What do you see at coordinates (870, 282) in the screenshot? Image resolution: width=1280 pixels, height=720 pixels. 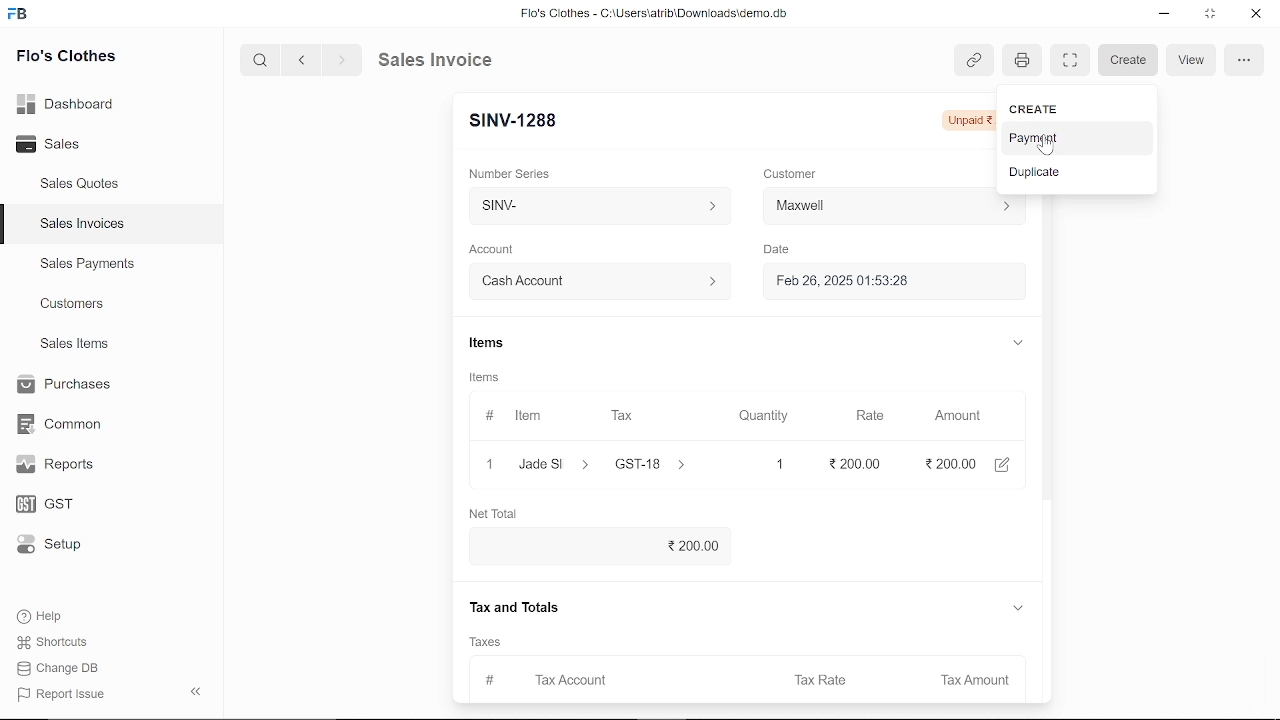 I see `Feb 26, 2025 01:53:28` at bounding box center [870, 282].